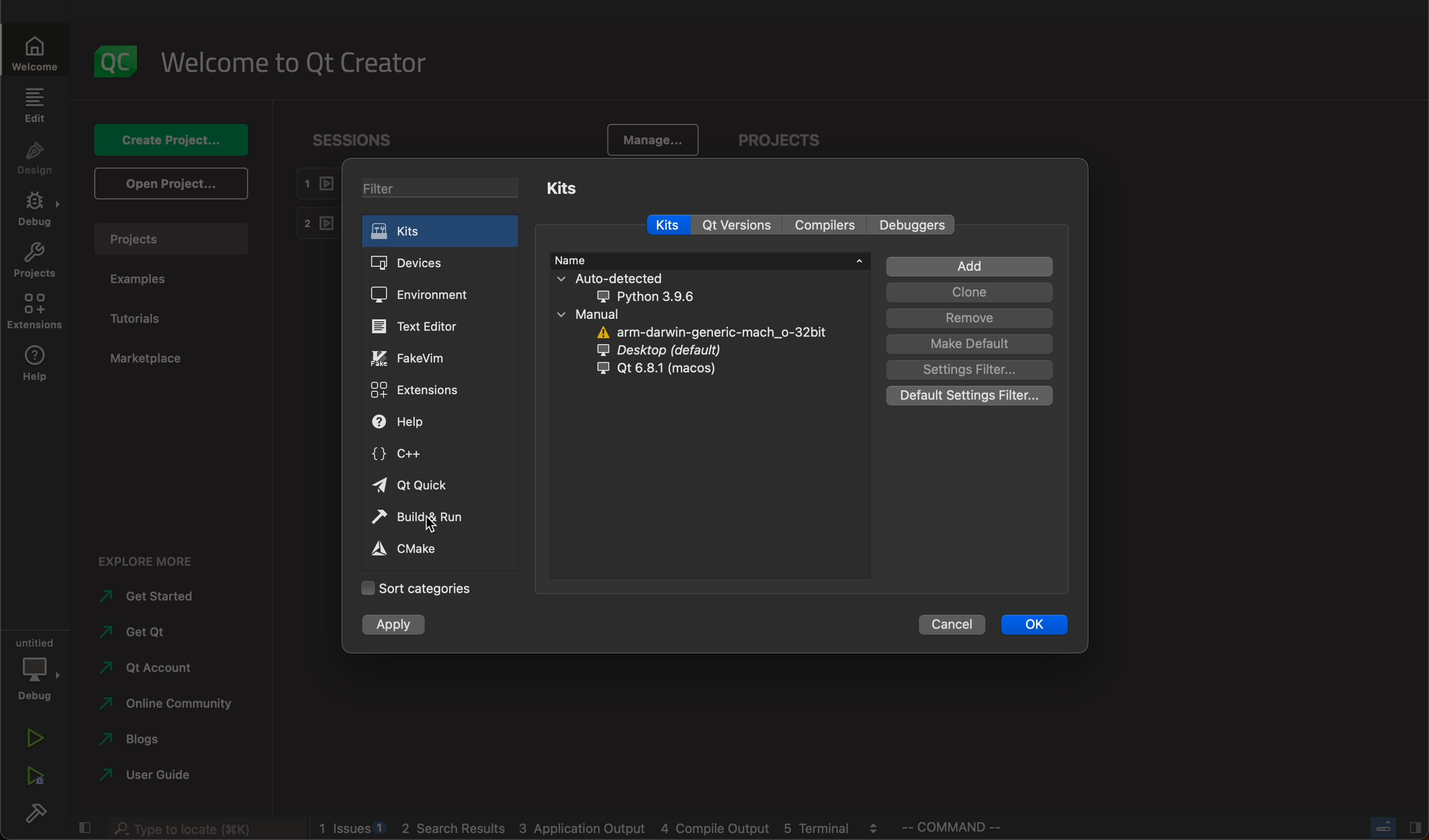 The width and height of the screenshot is (1429, 840). I want to click on edit , so click(36, 104).